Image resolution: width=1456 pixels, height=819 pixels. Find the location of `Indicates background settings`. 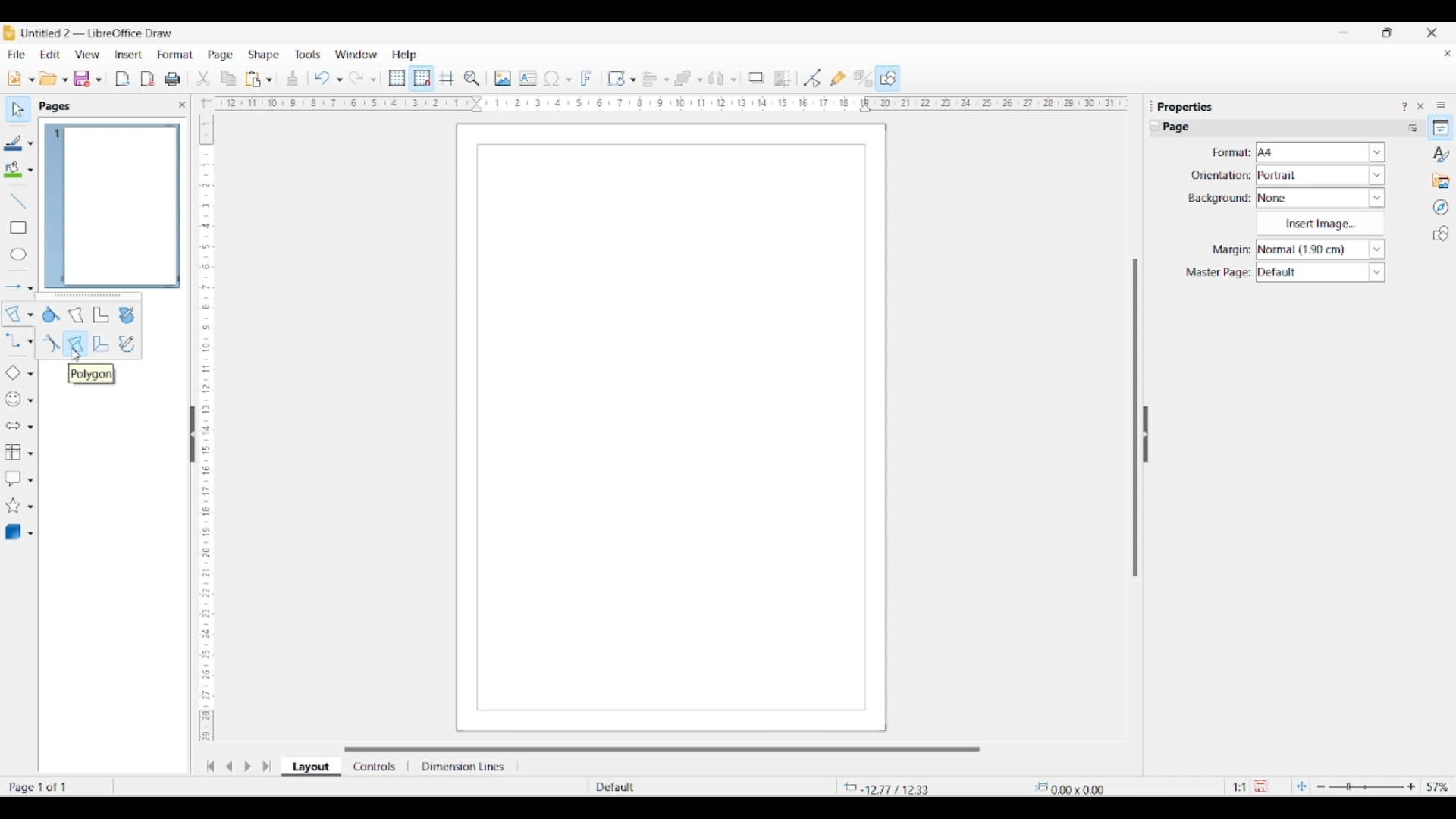

Indicates background settings is located at coordinates (1219, 199).